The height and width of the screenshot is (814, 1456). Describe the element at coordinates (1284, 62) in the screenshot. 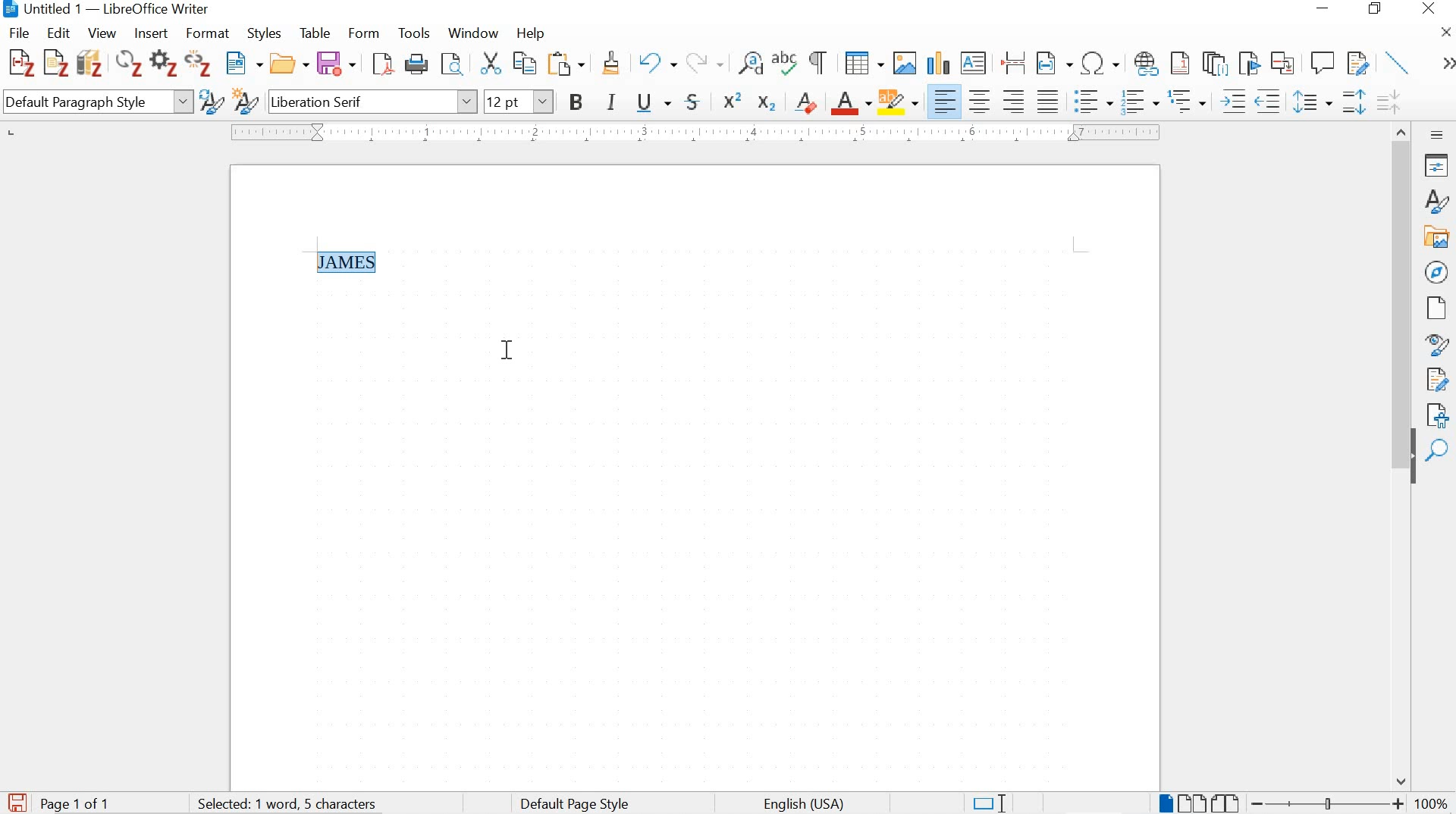

I see `insert cross-reference` at that location.